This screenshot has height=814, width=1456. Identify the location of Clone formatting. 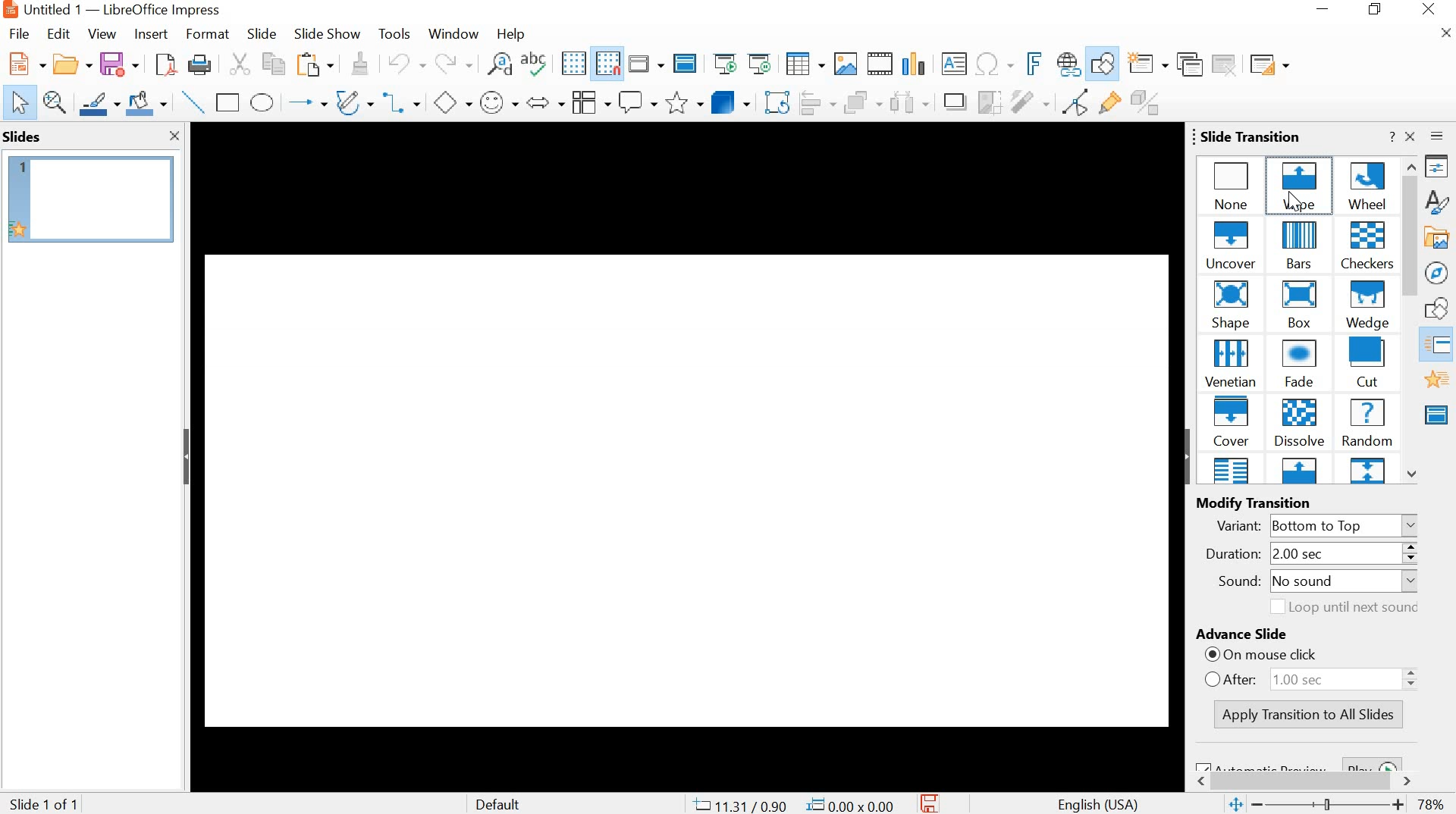
(359, 63).